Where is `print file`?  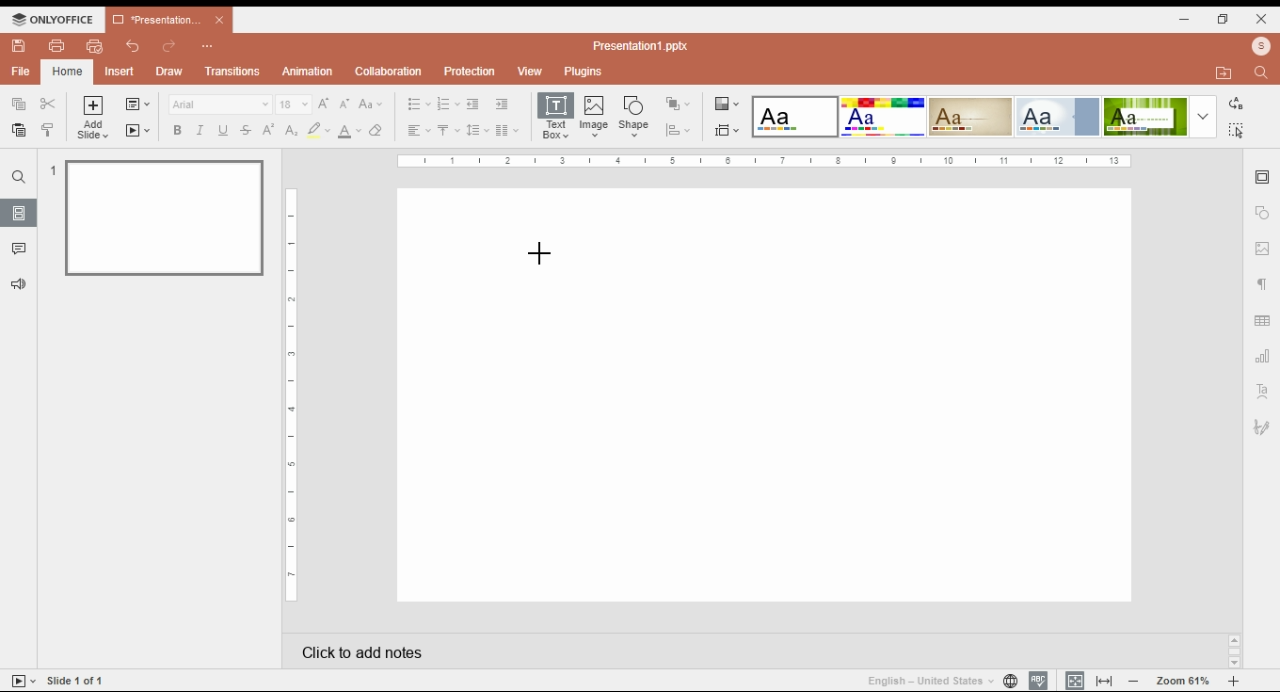
print file is located at coordinates (55, 46).